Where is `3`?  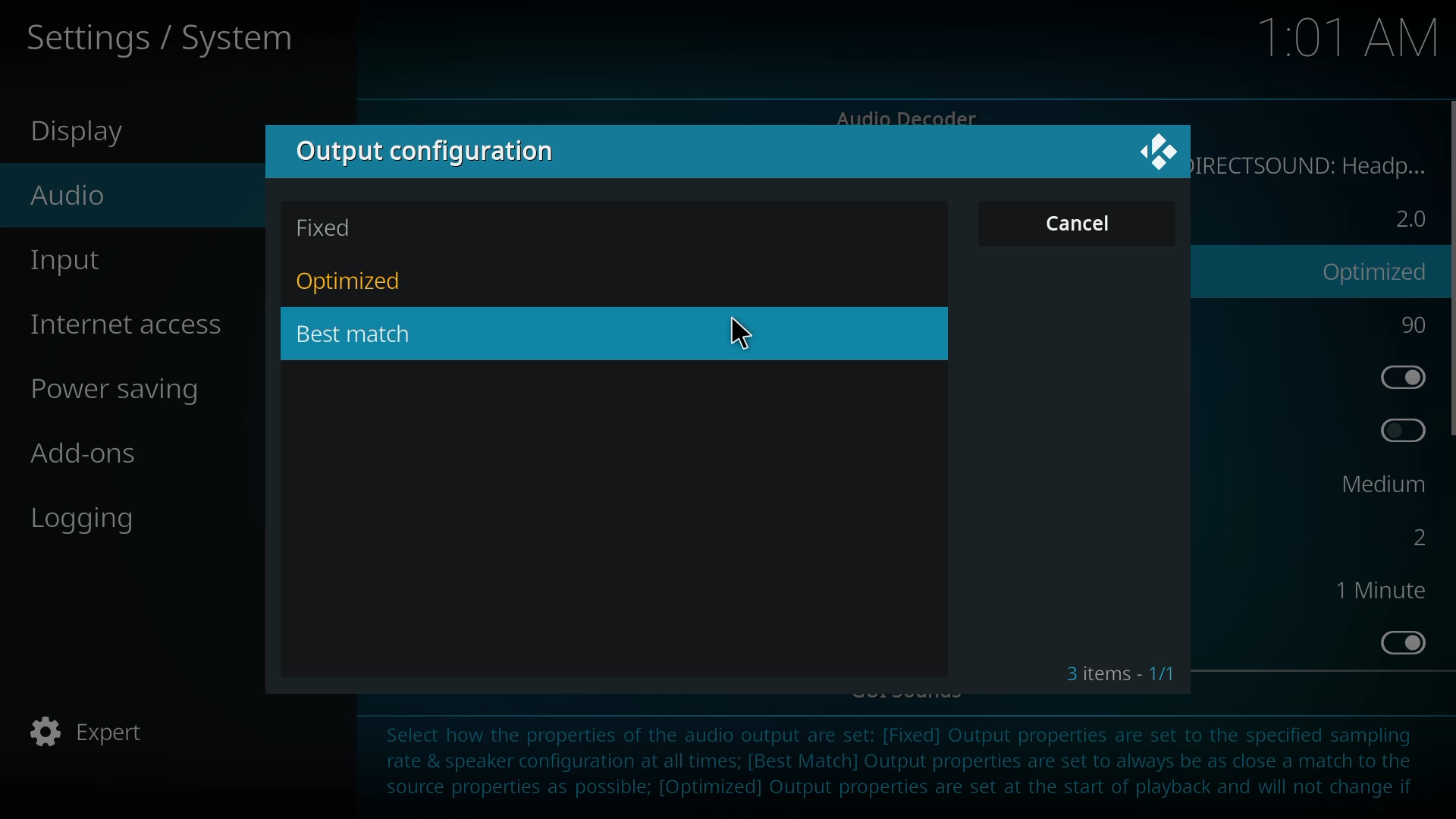
3 is located at coordinates (1121, 672).